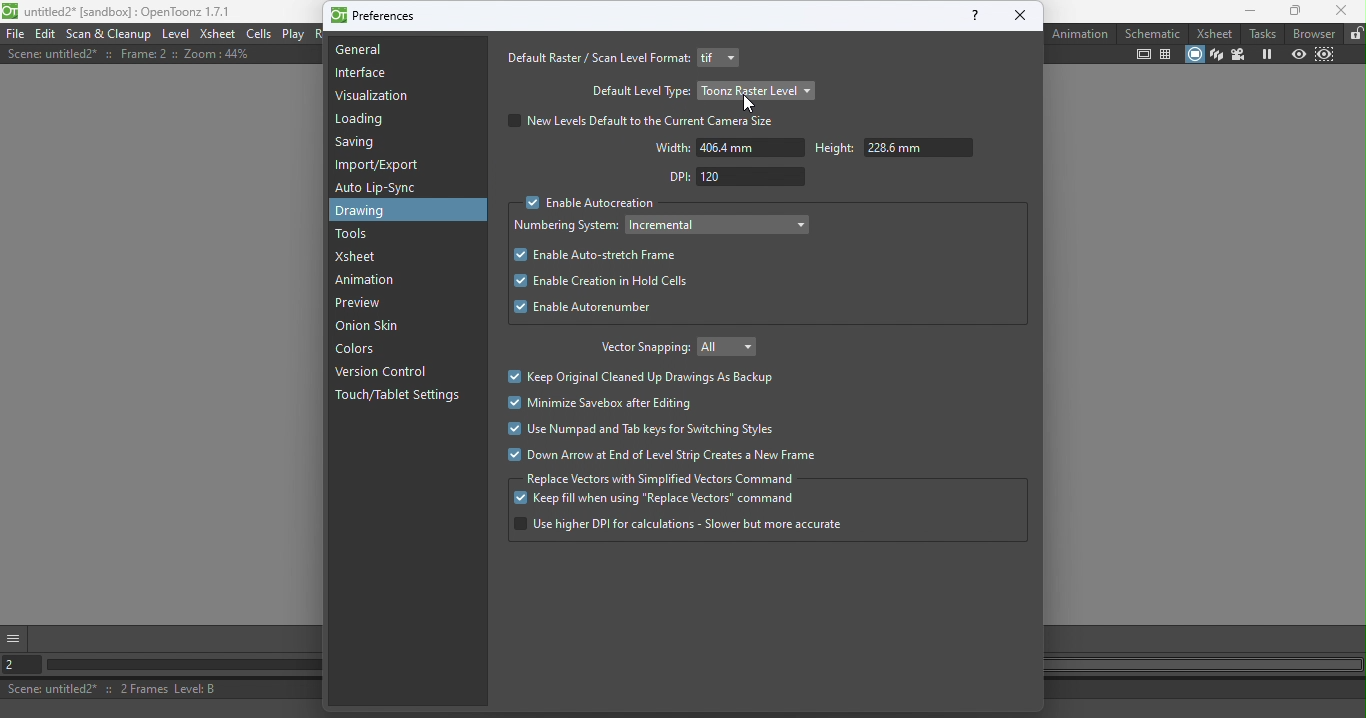 The height and width of the screenshot is (718, 1366). What do you see at coordinates (385, 373) in the screenshot?
I see `Version control` at bounding box center [385, 373].